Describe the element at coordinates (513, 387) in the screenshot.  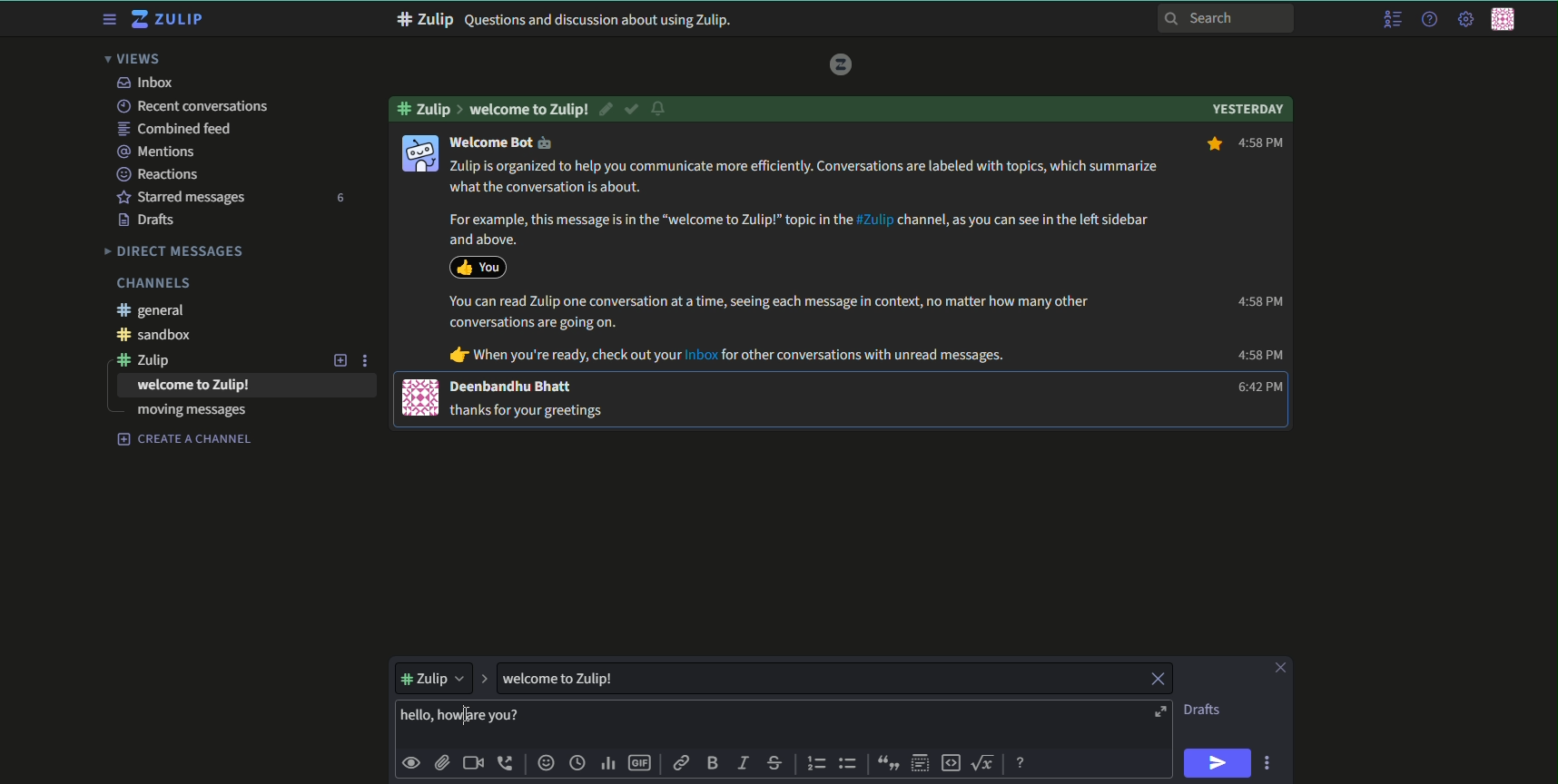
I see `Deenbandhu Bhatt` at that location.